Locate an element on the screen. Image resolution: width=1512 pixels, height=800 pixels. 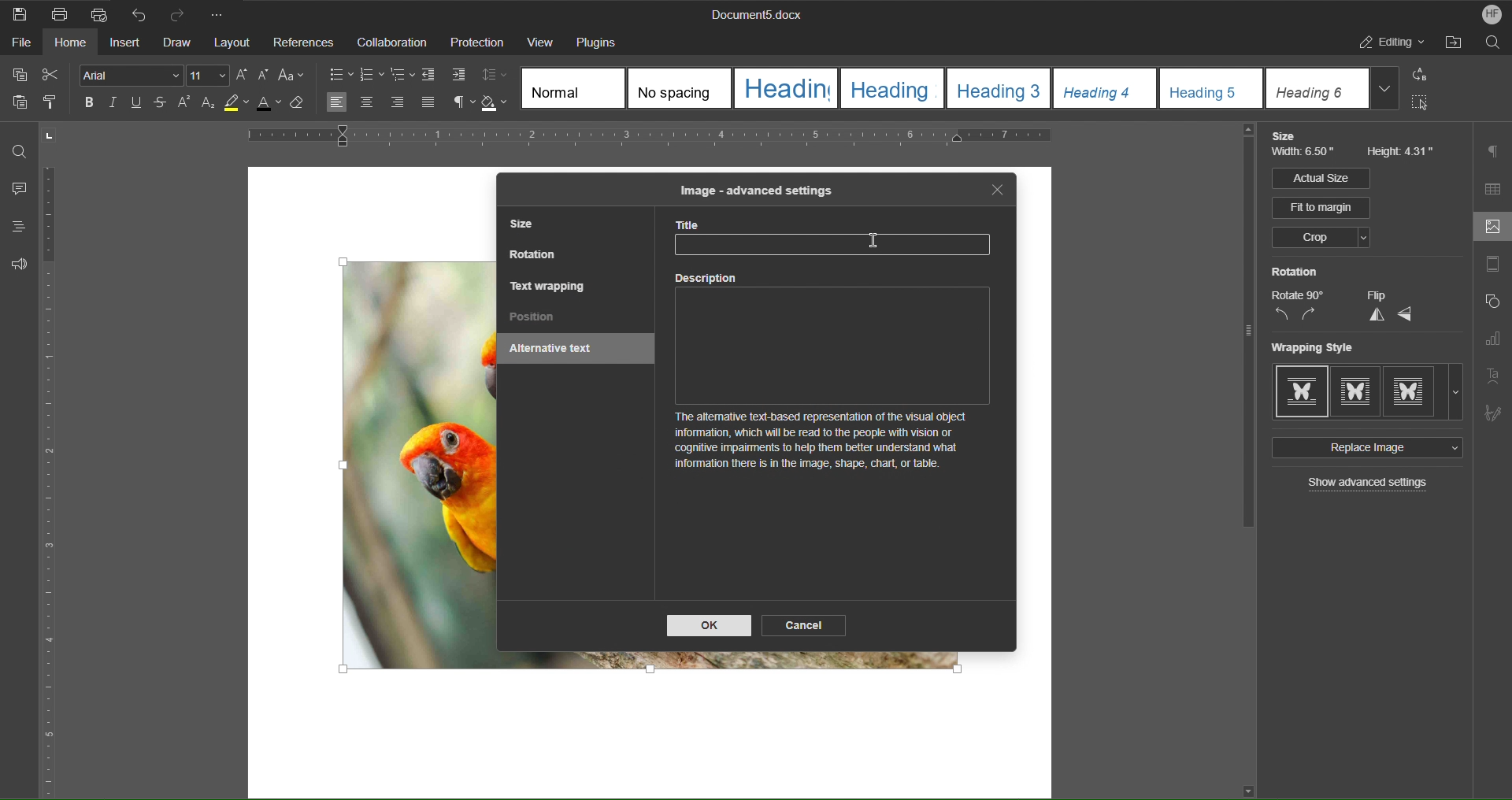
Rotate CW is located at coordinates (1310, 315).